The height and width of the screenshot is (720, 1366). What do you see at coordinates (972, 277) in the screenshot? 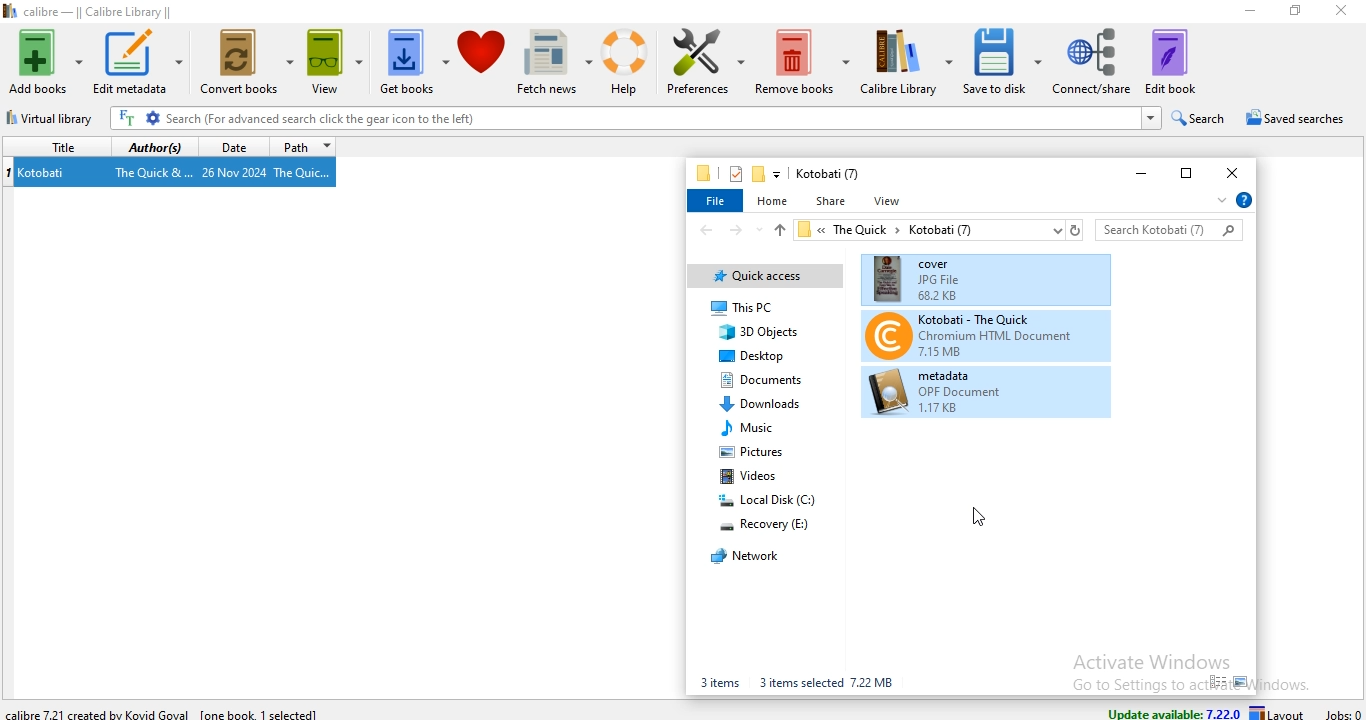
I see `cover(book files)` at bounding box center [972, 277].